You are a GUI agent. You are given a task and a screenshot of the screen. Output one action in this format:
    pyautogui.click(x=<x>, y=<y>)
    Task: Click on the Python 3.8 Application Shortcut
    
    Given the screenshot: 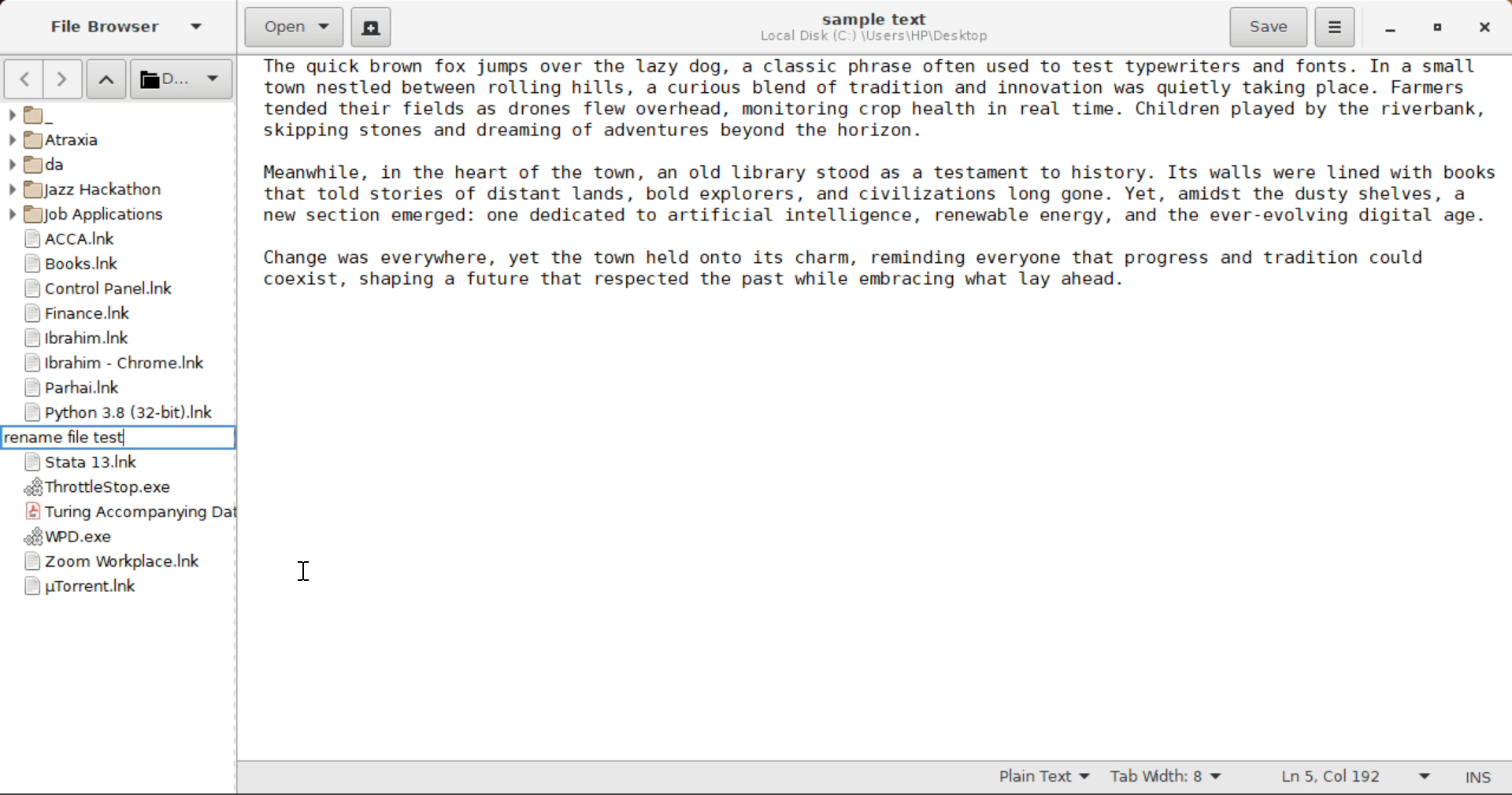 What is the action you would take?
    pyautogui.click(x=112, y=412)
    